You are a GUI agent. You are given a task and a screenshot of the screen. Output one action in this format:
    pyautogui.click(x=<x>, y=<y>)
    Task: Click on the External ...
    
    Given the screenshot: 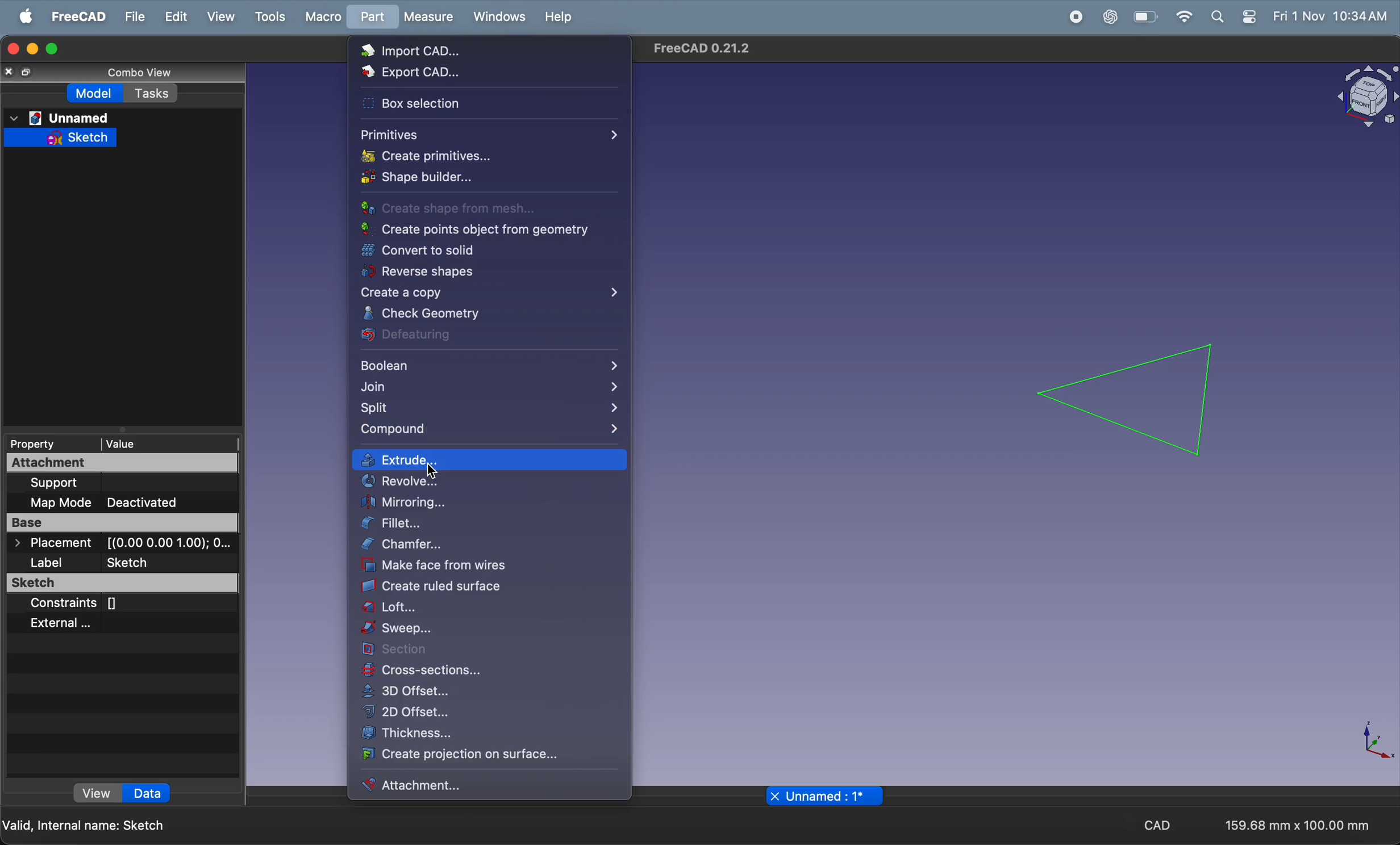 What is the action you would take?
    pyautogui.click(x=89, y=623)
    